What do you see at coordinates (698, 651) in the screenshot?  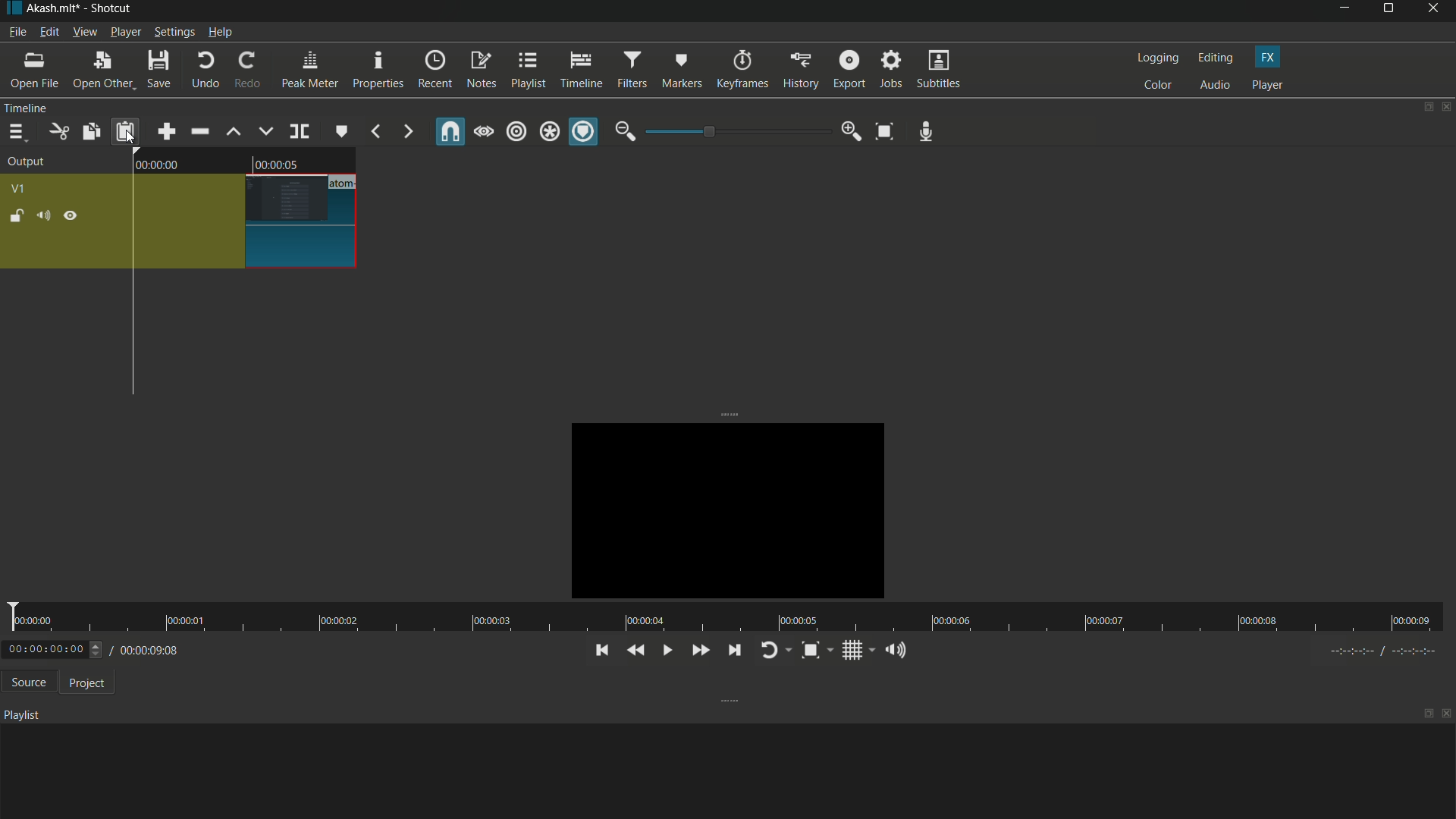 I see `quickly play forward` at bounding box center [698, 651].